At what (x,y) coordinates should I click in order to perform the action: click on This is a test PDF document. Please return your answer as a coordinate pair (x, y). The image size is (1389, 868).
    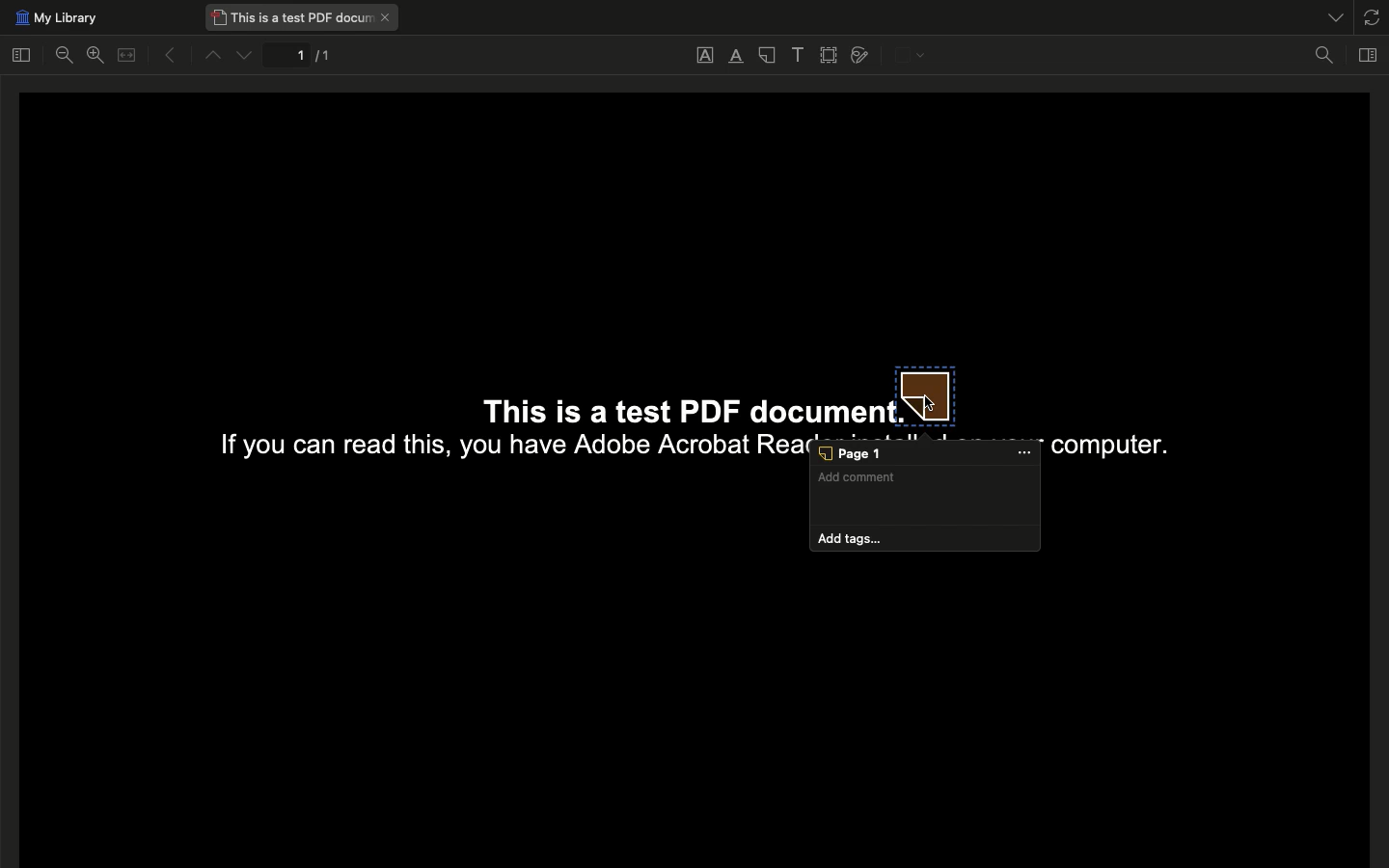
    Looking at the image, I should click on (303, 17).